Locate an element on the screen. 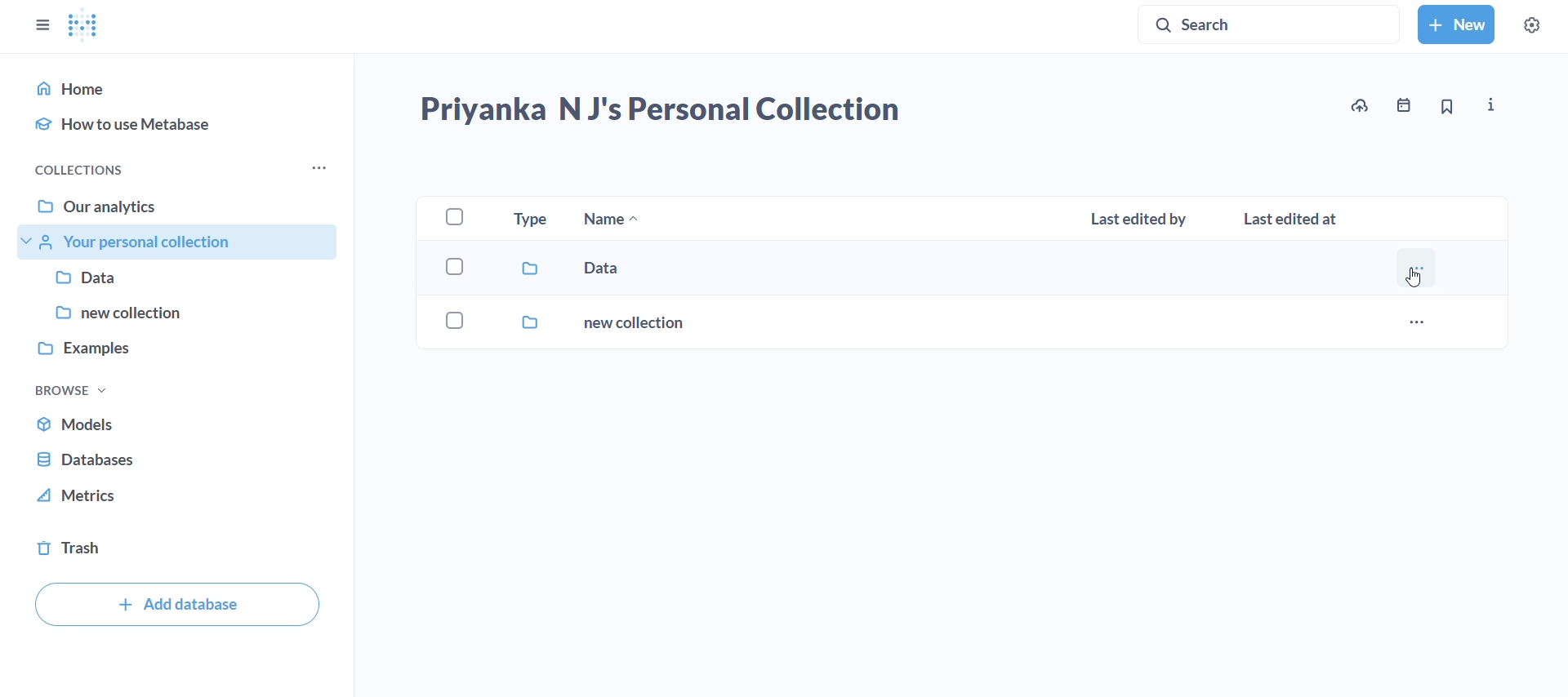 Image resolution: width=1568 pixels, height=697 pixels. type is located at coordinates (529, 220).